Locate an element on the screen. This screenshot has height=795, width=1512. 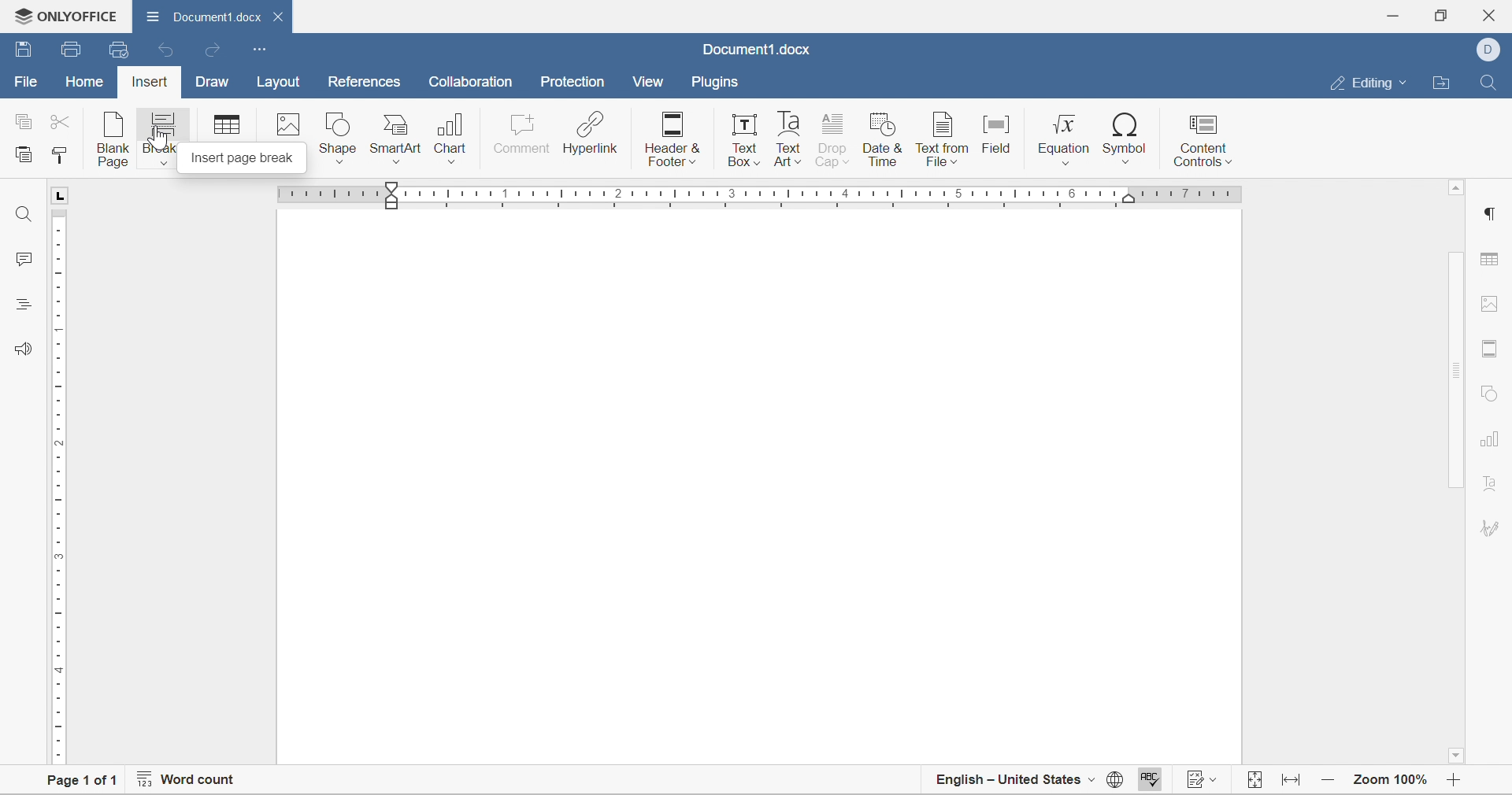
Protection is located at coordinates (571, 83).